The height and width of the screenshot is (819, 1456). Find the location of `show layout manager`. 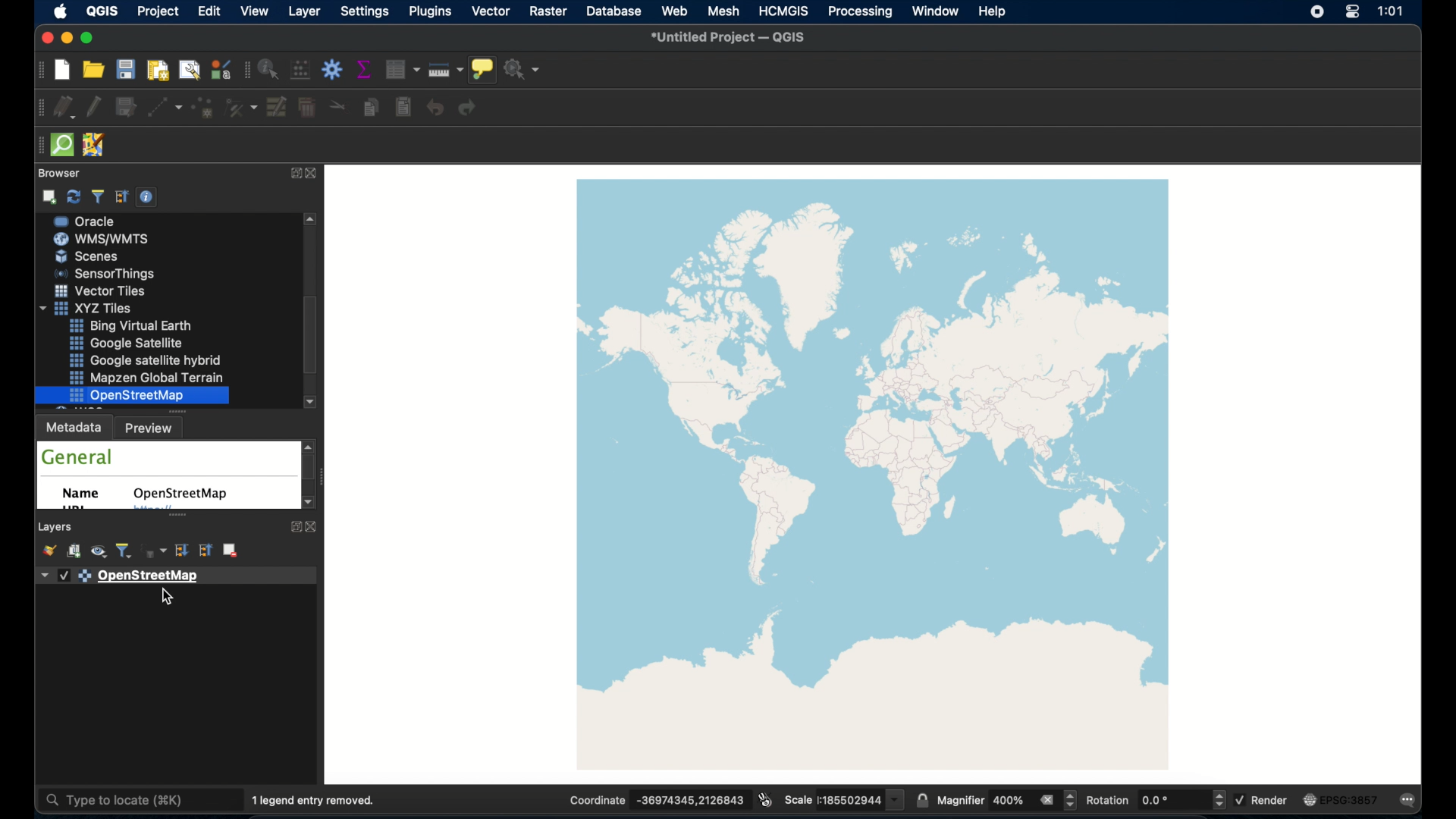

show layout manager is located at coordinates (187, 71).